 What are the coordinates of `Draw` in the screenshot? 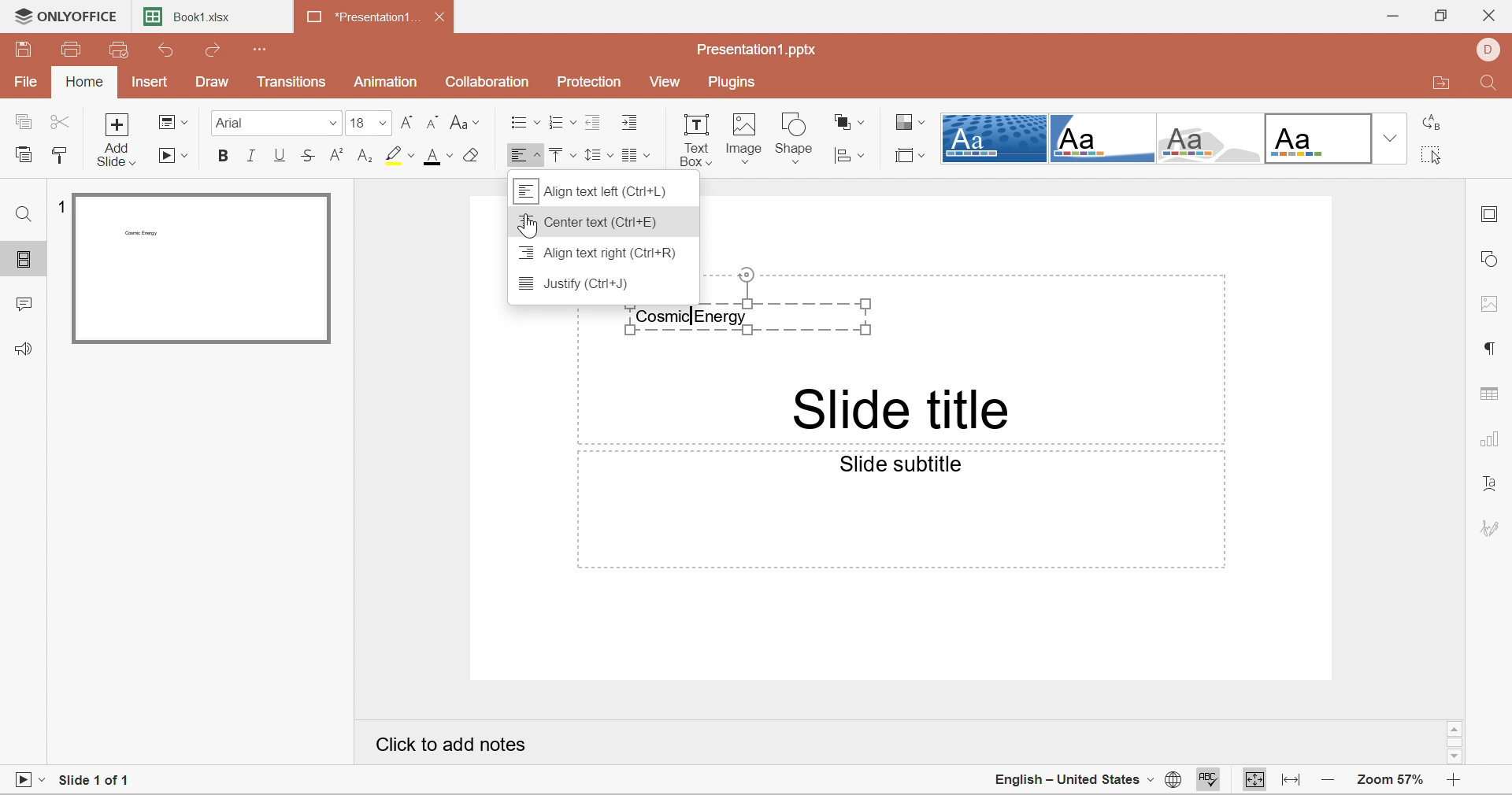 It's located at (212, 83).